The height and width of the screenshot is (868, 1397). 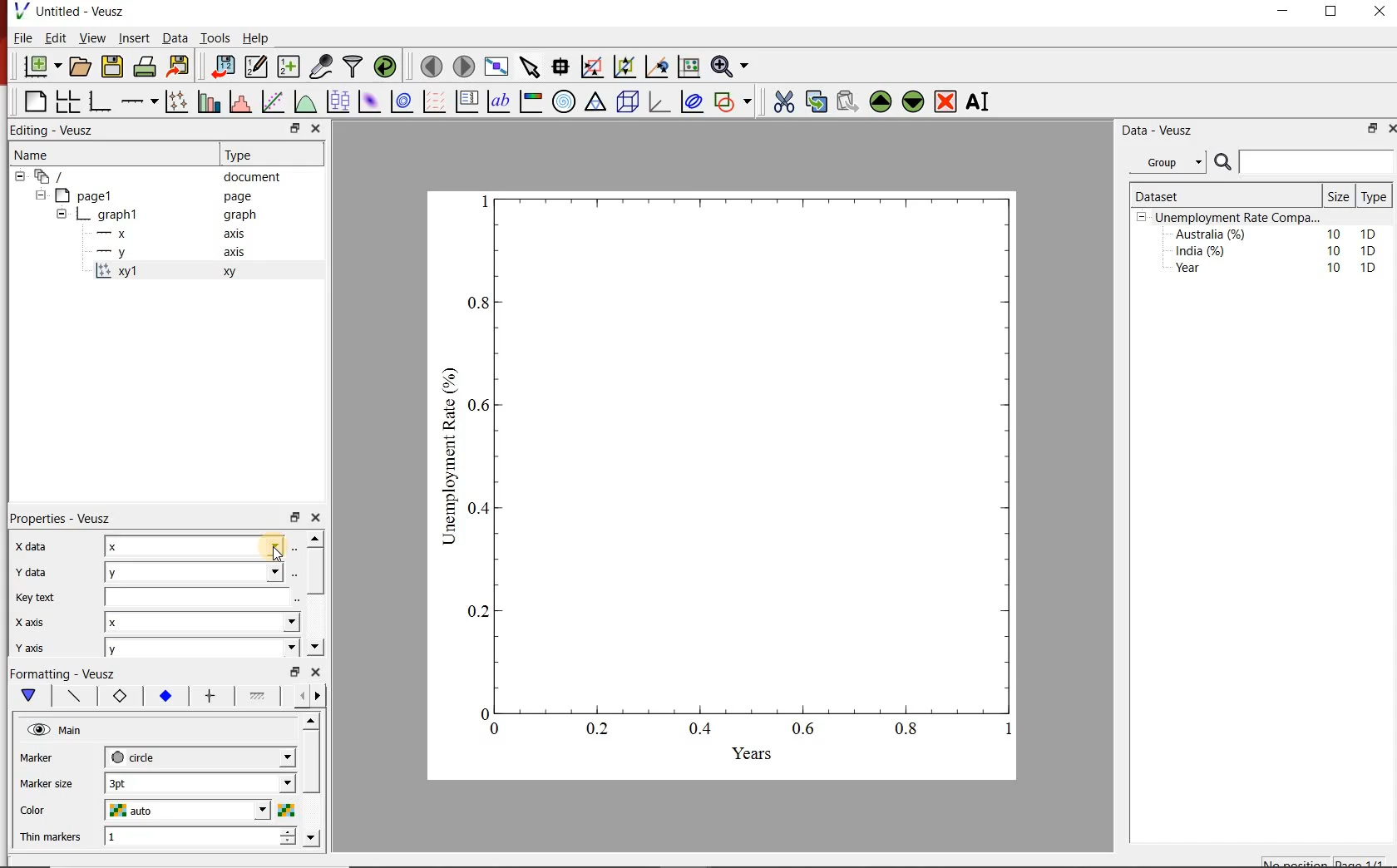 What do you see at coordinates (272, 101) in the screenshot?
I see `fit a function` at bounding box center [272, 101].